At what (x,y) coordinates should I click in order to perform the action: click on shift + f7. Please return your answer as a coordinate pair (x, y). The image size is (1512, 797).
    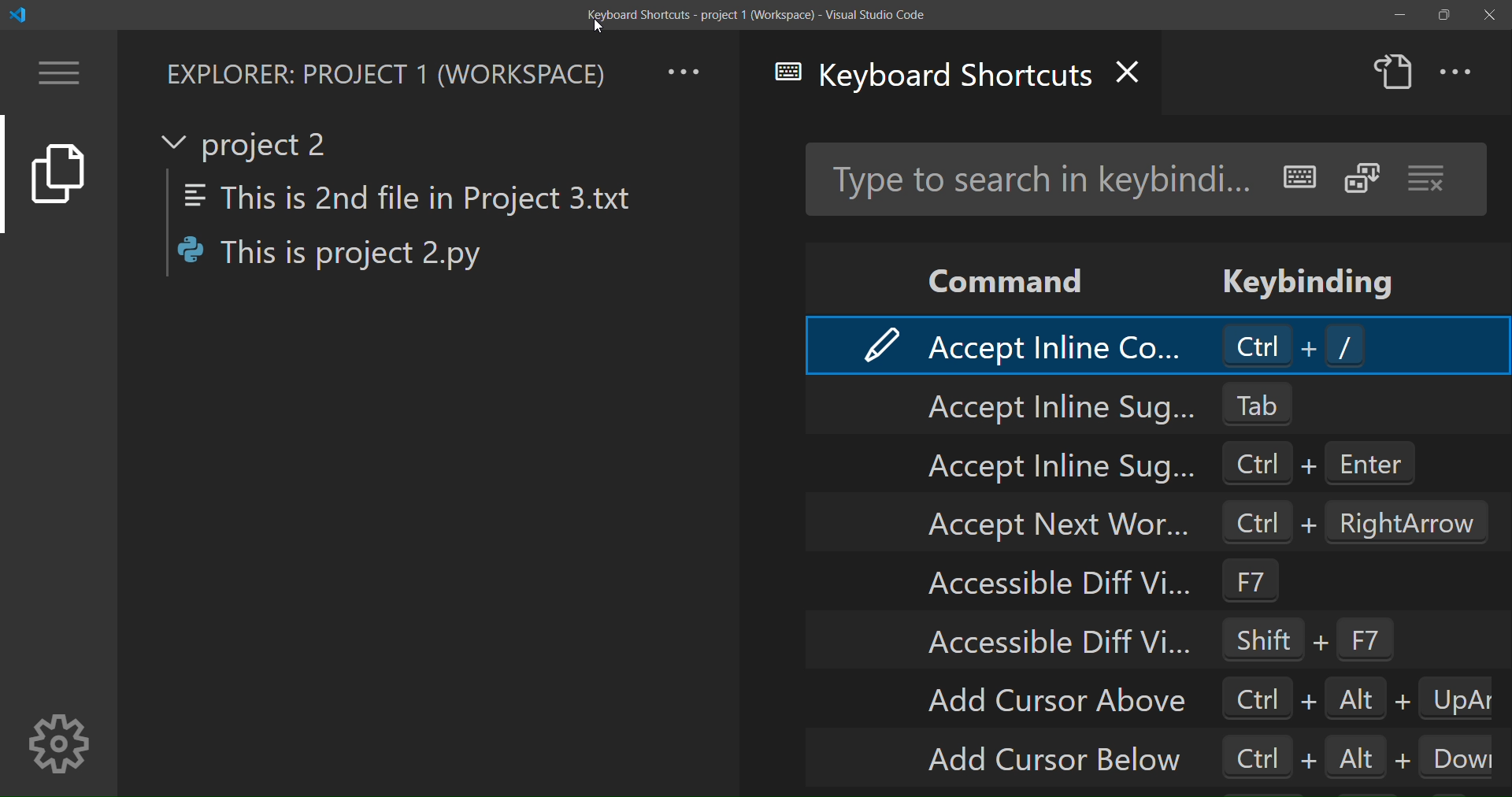
    Looking at the image, I should click on (1324, 639).